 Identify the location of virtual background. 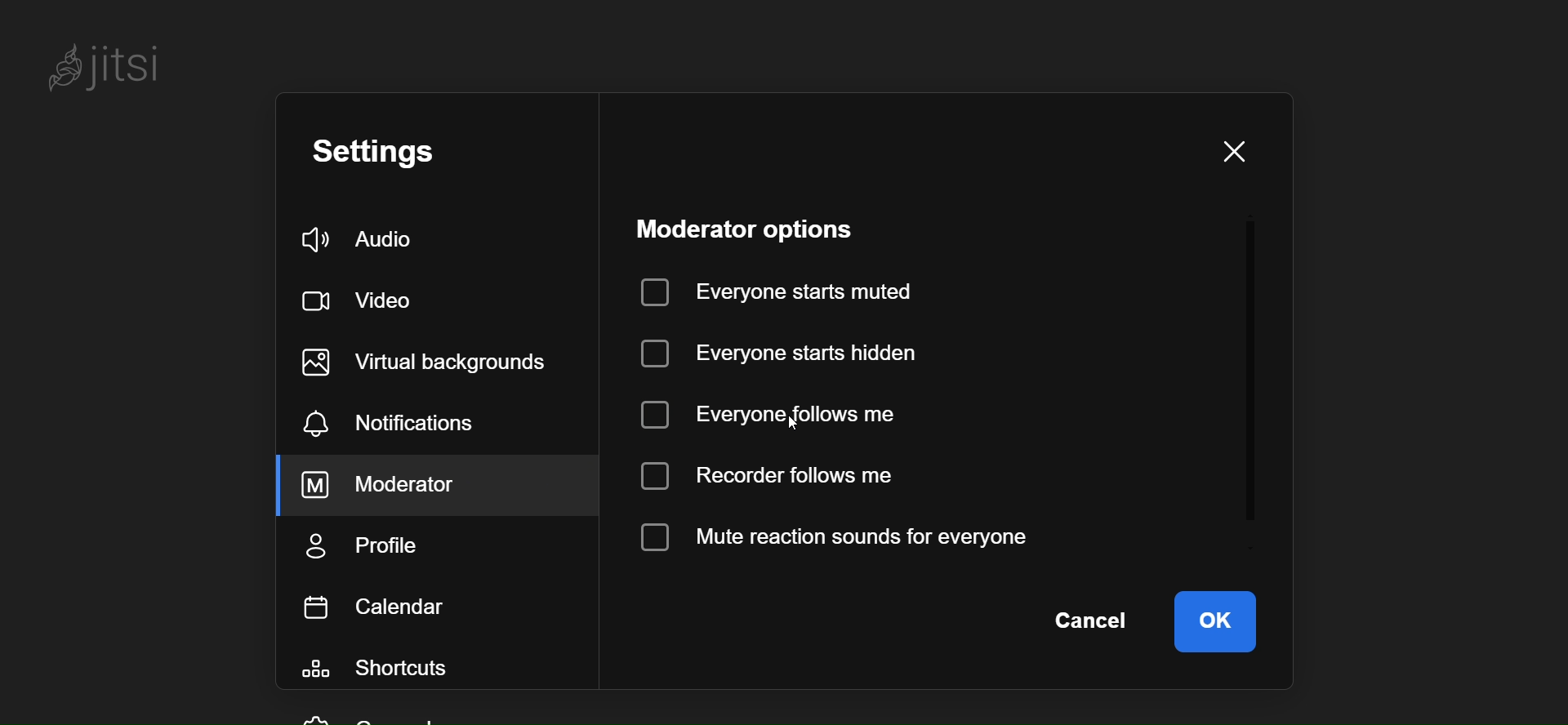
(437, 362).